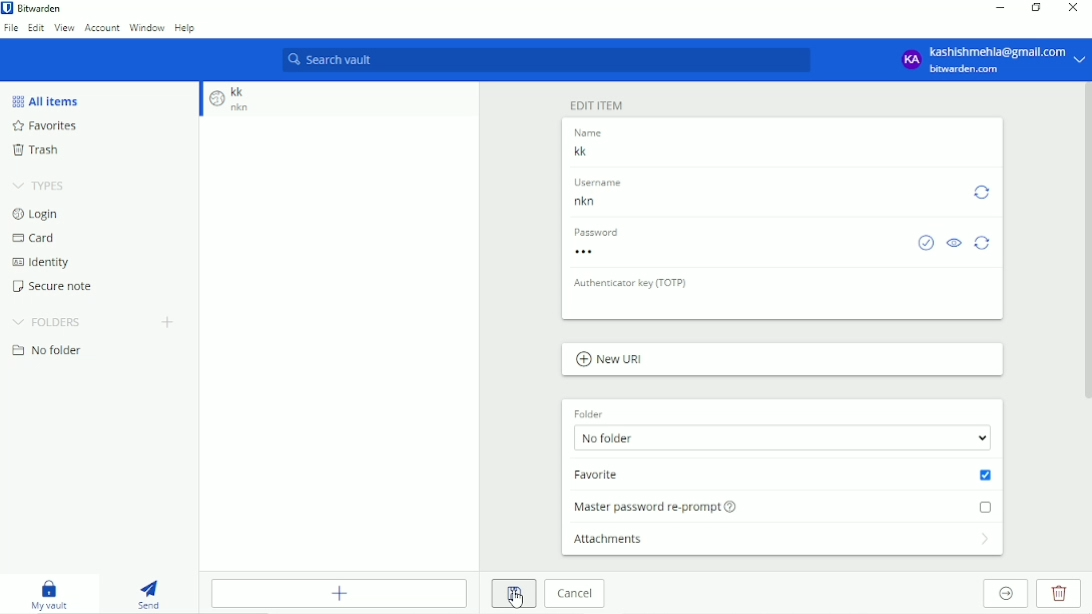 The width and height of the screenshot is (1092, 614). Describe the element at coordinates (759, 307) in the screenshot. I see `OTP input box` at that location.